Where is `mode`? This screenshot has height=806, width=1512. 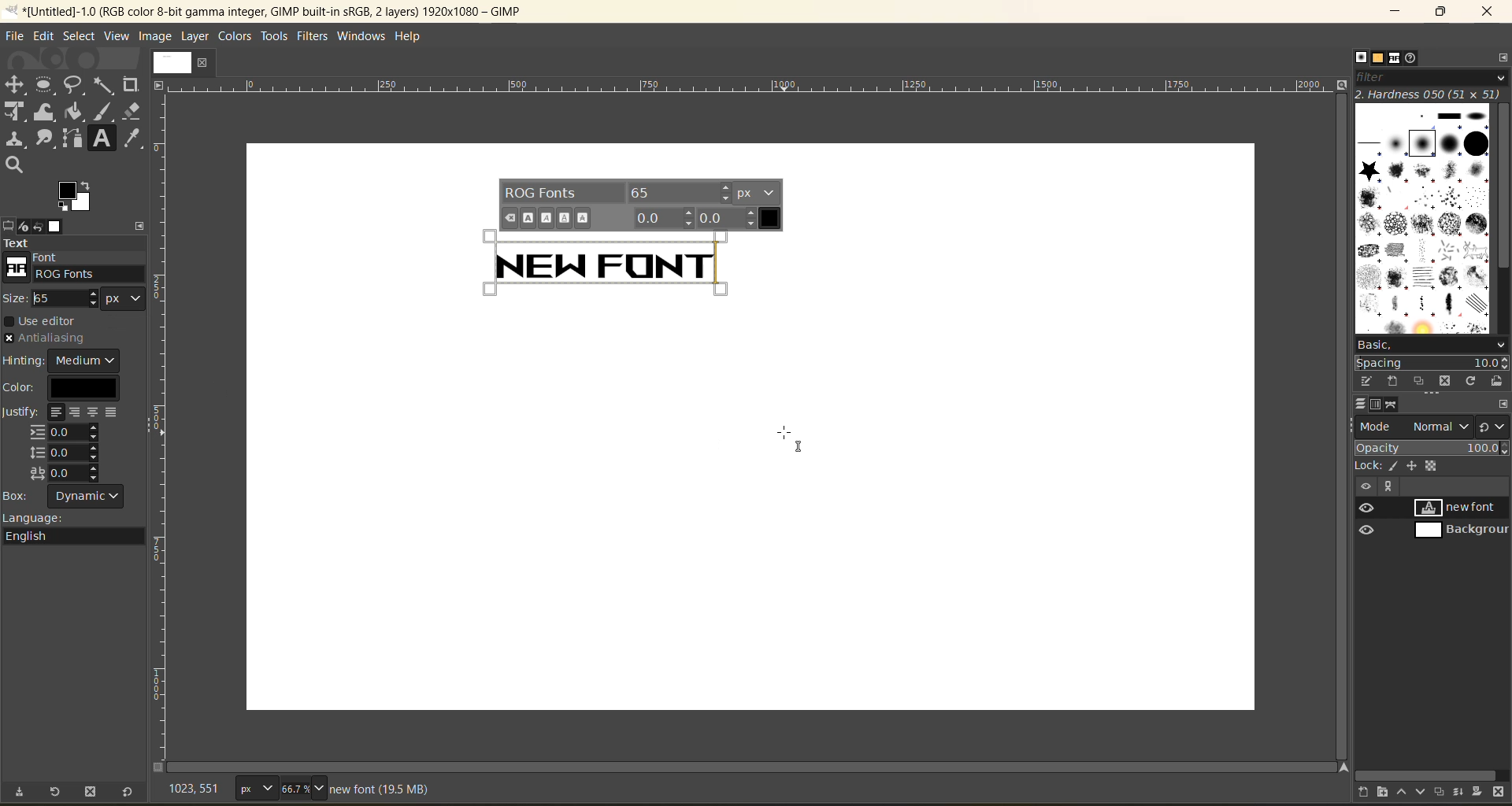
mode is located at coordinates (1412, 427).